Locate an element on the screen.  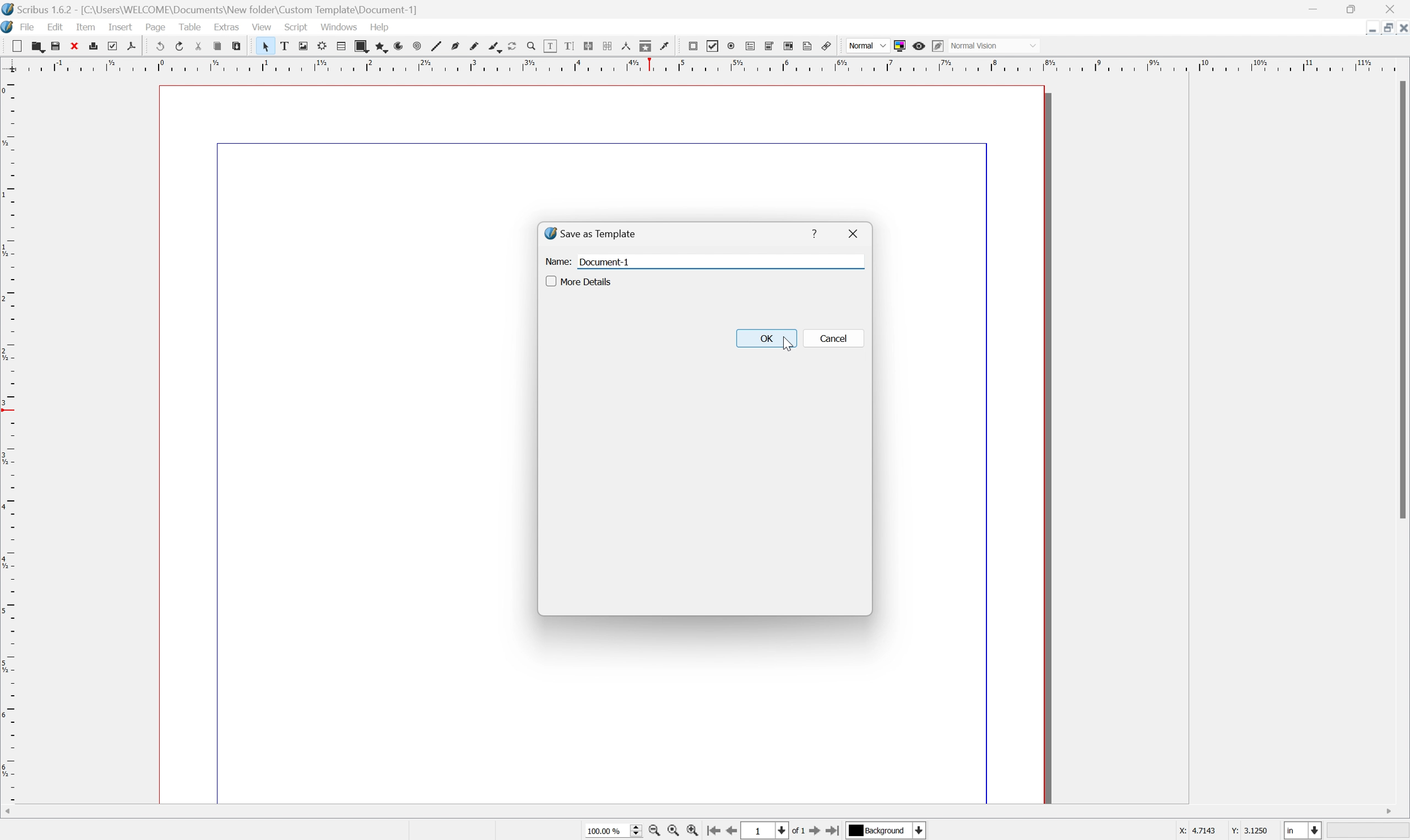
Restore Down is located at coordinates (1355, 10).